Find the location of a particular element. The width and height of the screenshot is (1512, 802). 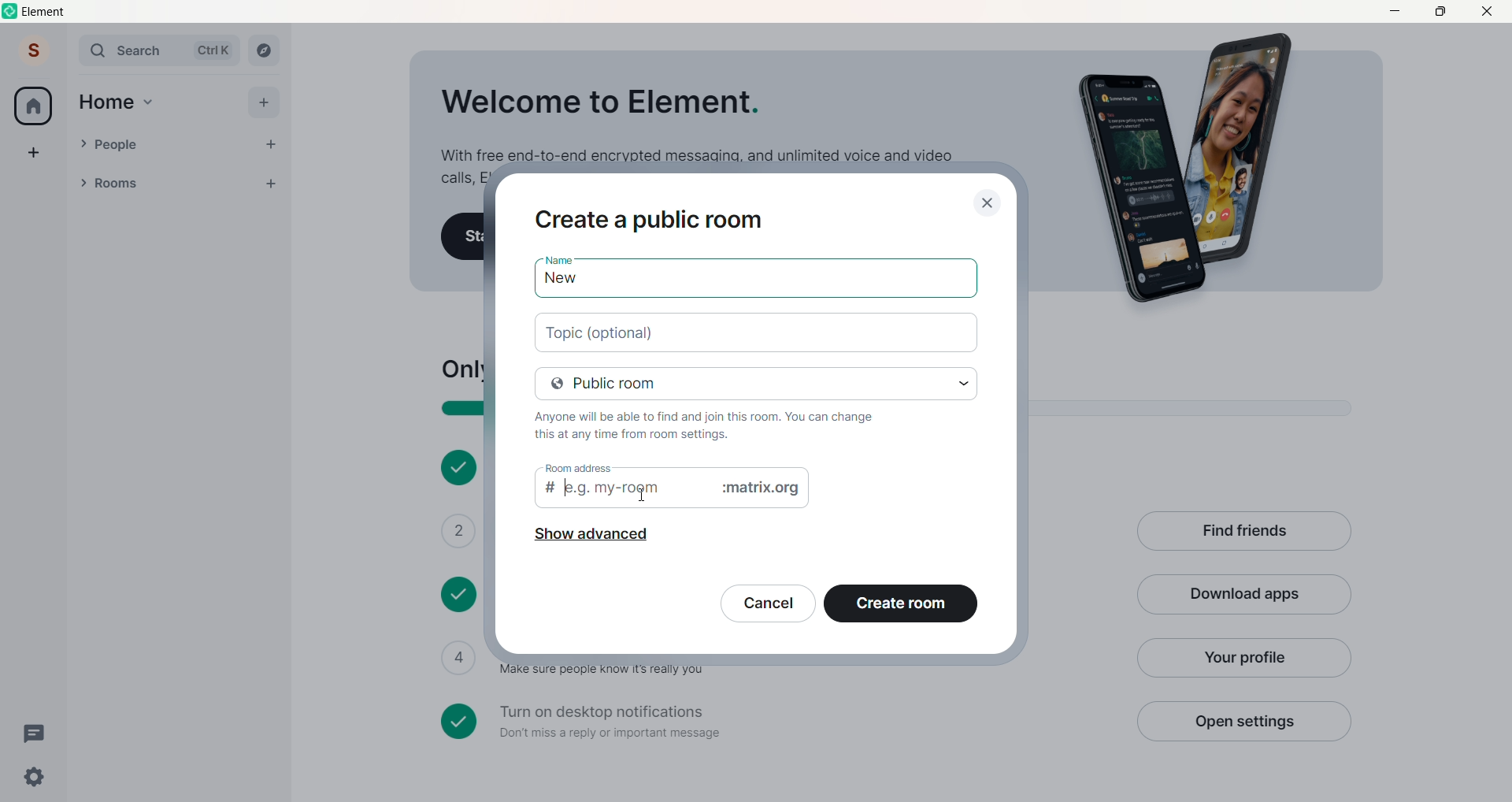

room privacy set to: "public room" is located at coordinates (758, 382).